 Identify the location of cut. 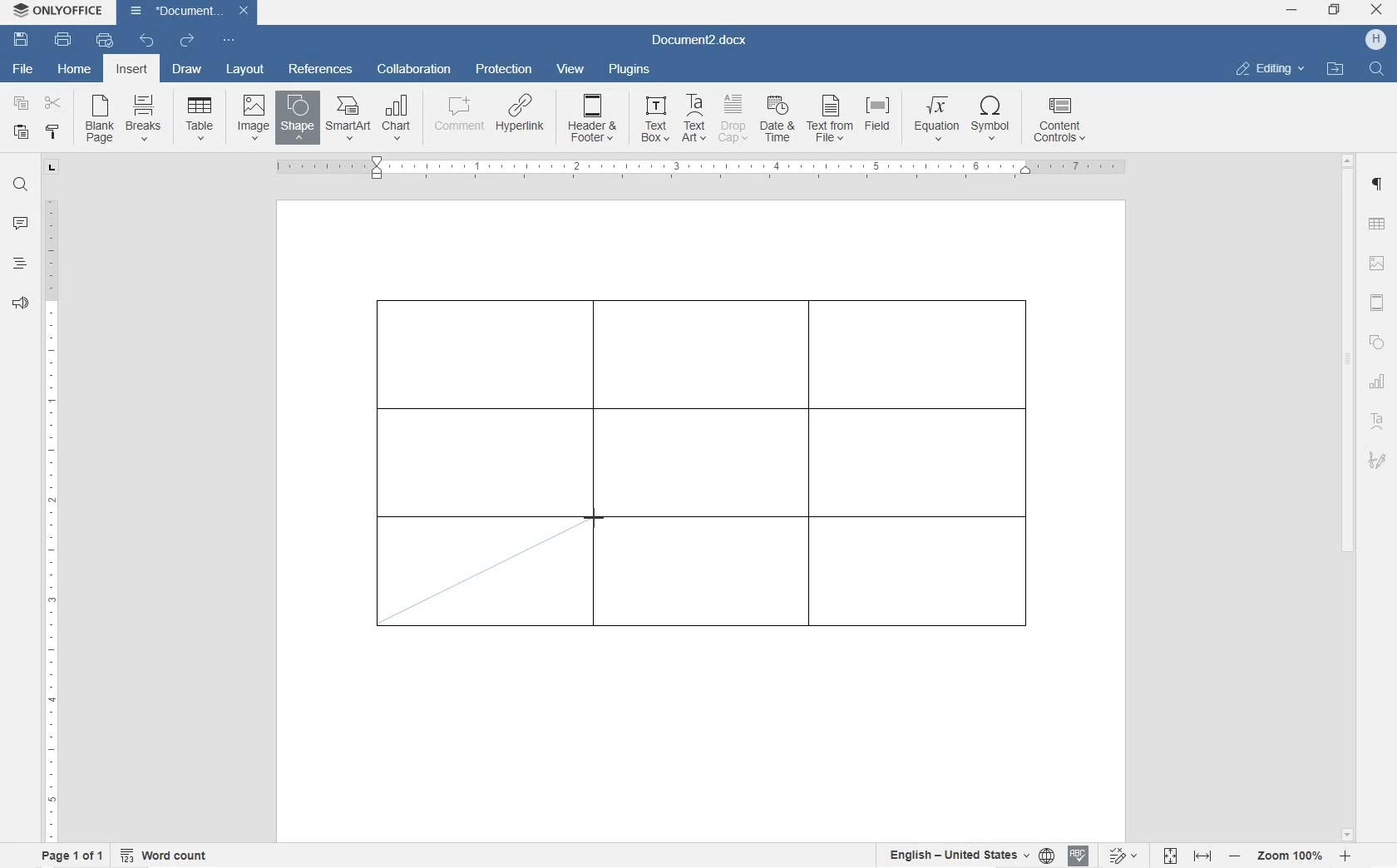
(52, 104).